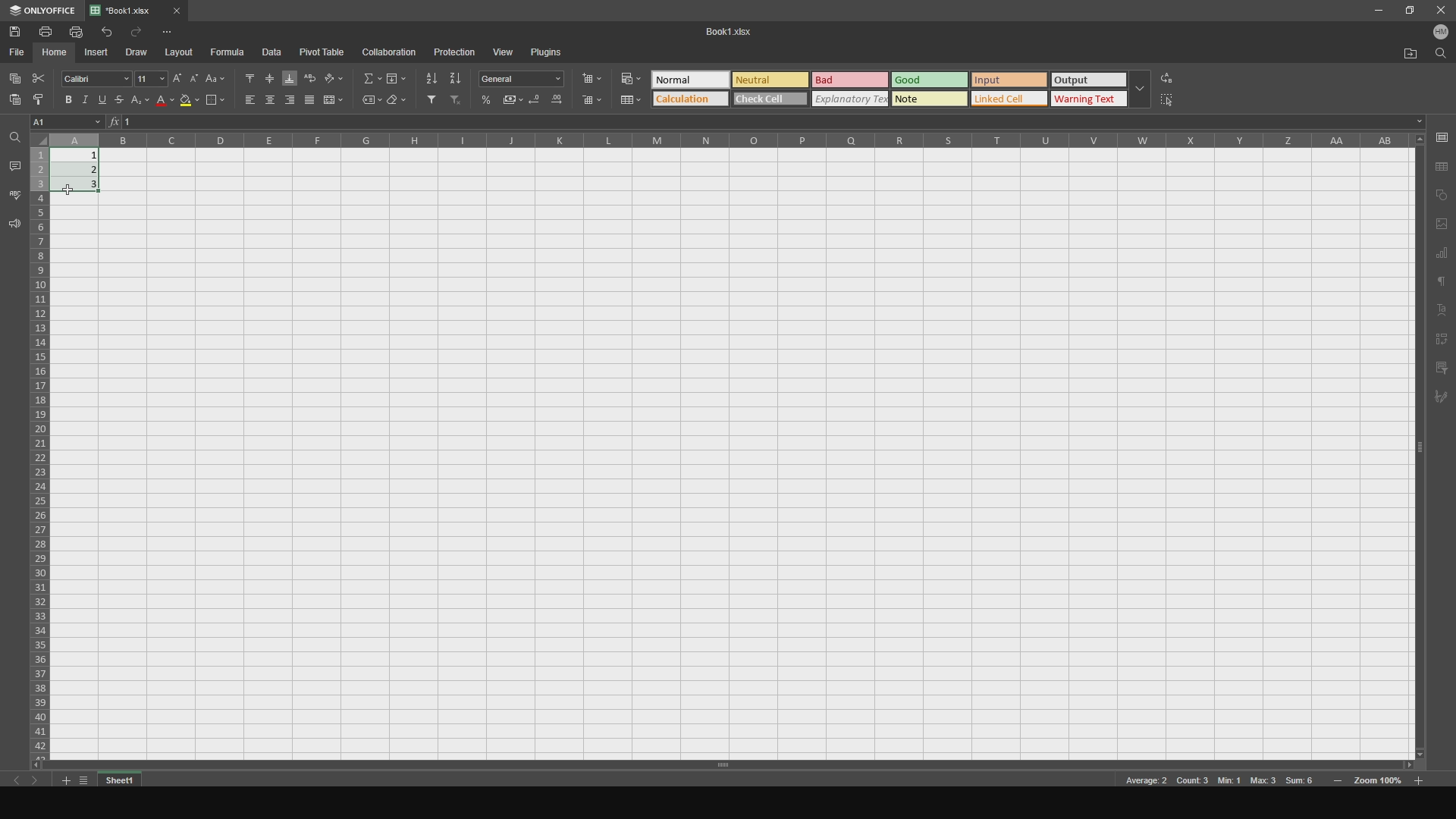  What do you see at coordinates (86, 780) in the screenshot?
I see `list tabs` at bounding box center [86, 780].